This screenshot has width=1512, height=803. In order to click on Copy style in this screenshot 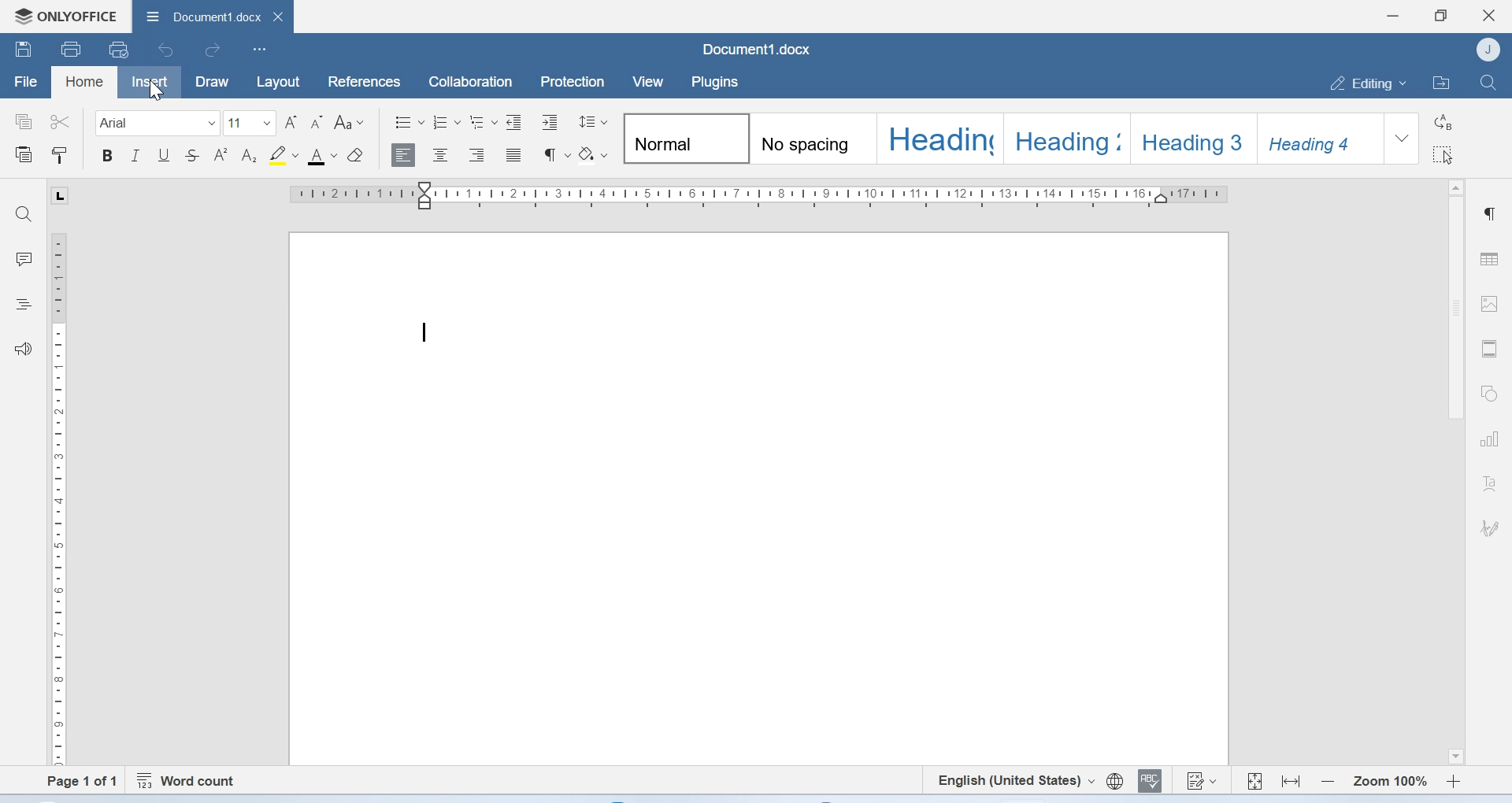, I will do `click(58, 157)`.